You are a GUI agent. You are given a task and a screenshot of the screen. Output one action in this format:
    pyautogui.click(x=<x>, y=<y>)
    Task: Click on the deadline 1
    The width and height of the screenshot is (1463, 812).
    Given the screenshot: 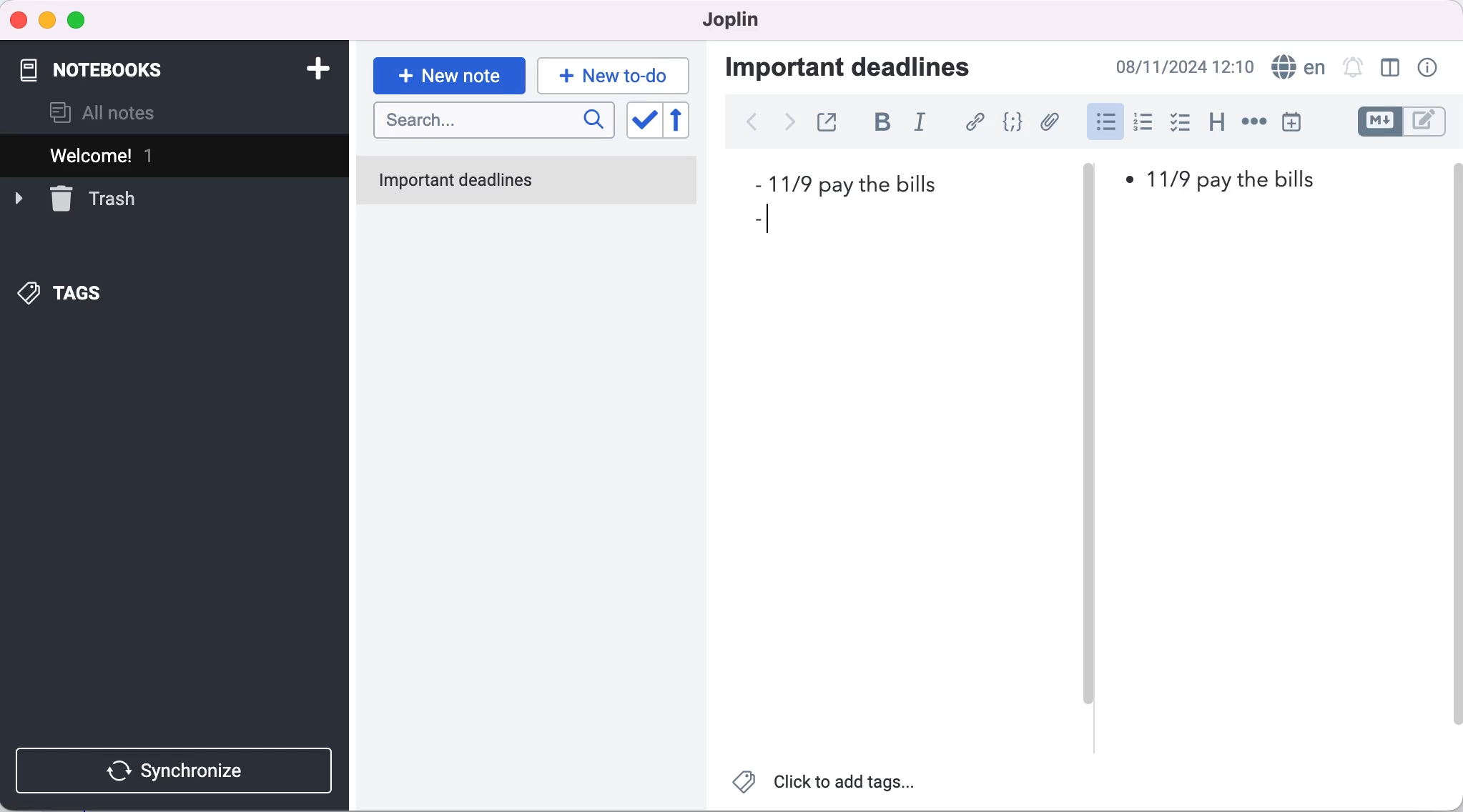 What is the action you would take?
    pyautogui.click(x=857, y=185)
    